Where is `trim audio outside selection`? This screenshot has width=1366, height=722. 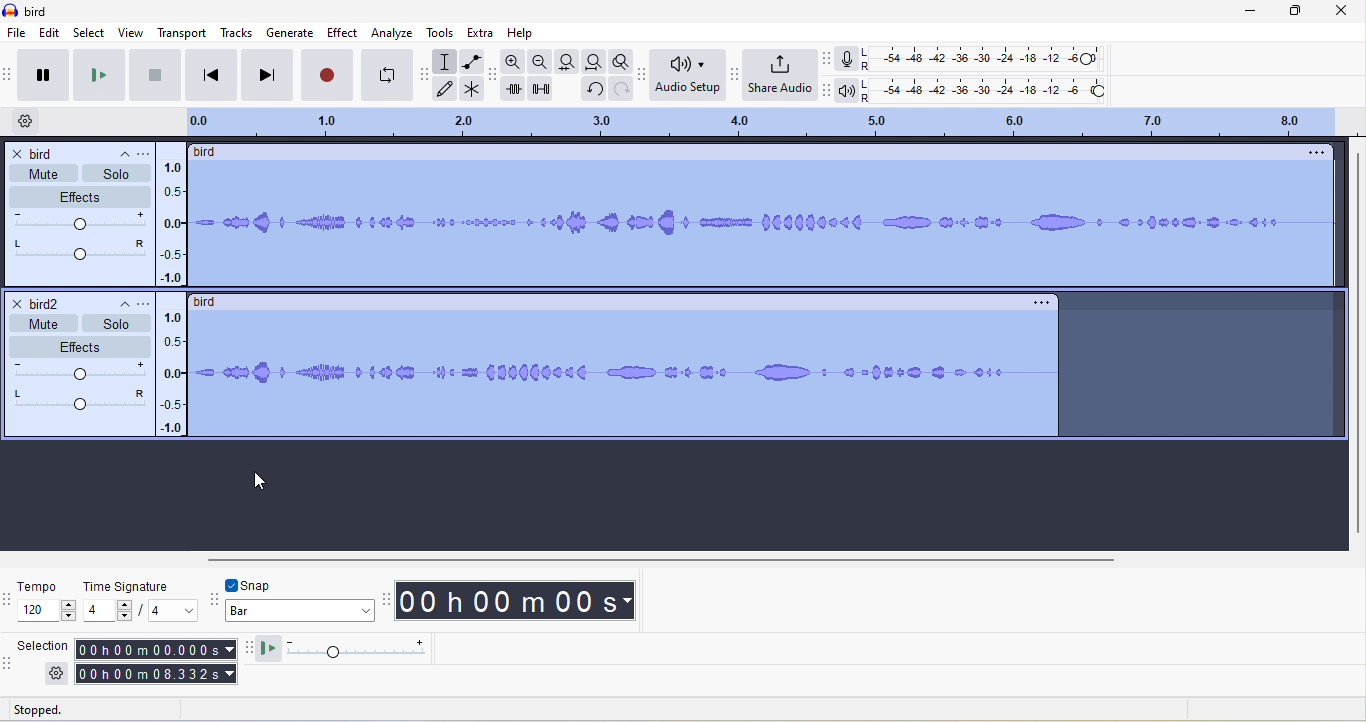
trim audio outside selection is located at coordinates (516, 91).